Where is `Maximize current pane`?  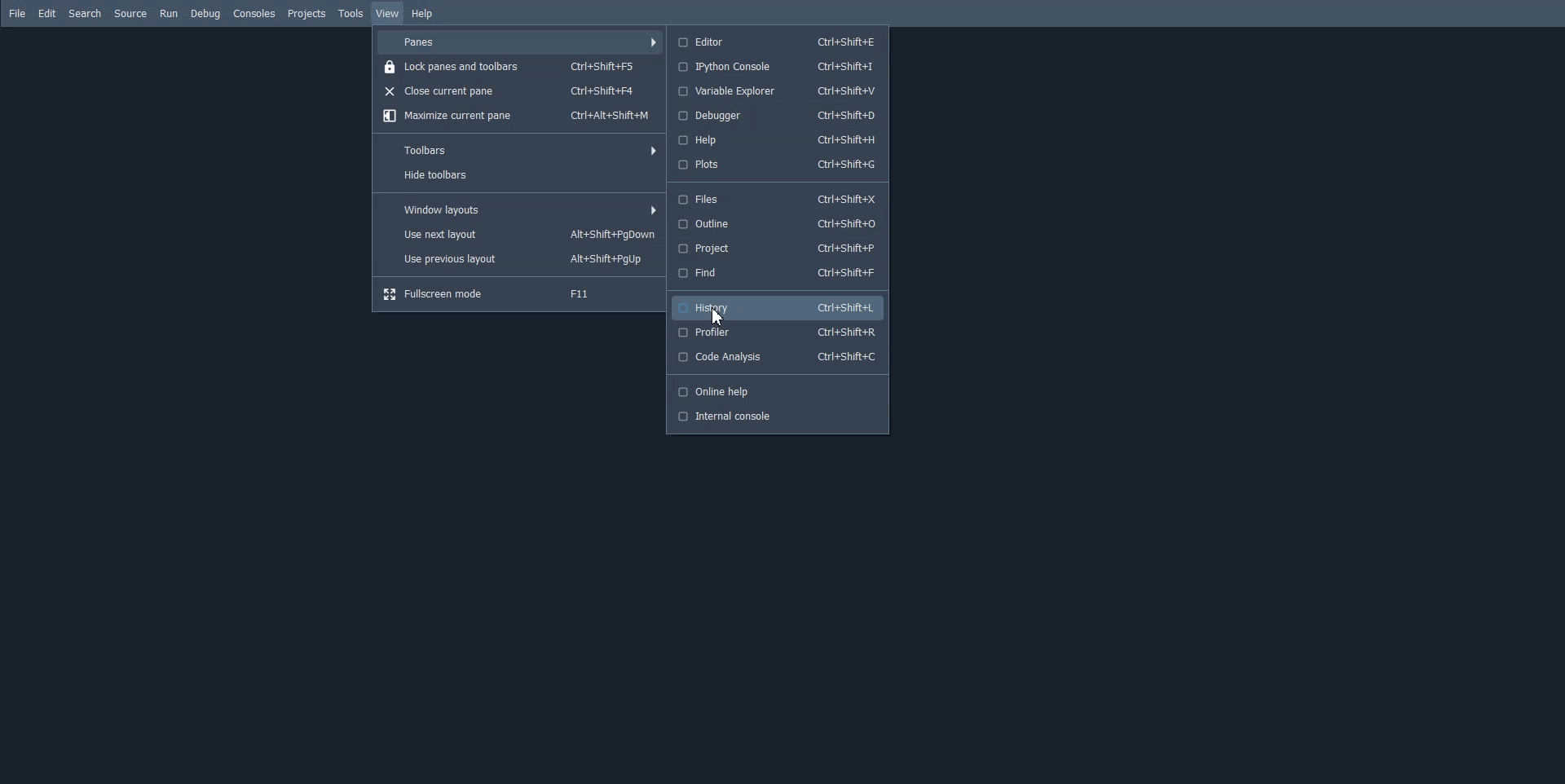 Maximize current pane is located at coordinates (517, 116).